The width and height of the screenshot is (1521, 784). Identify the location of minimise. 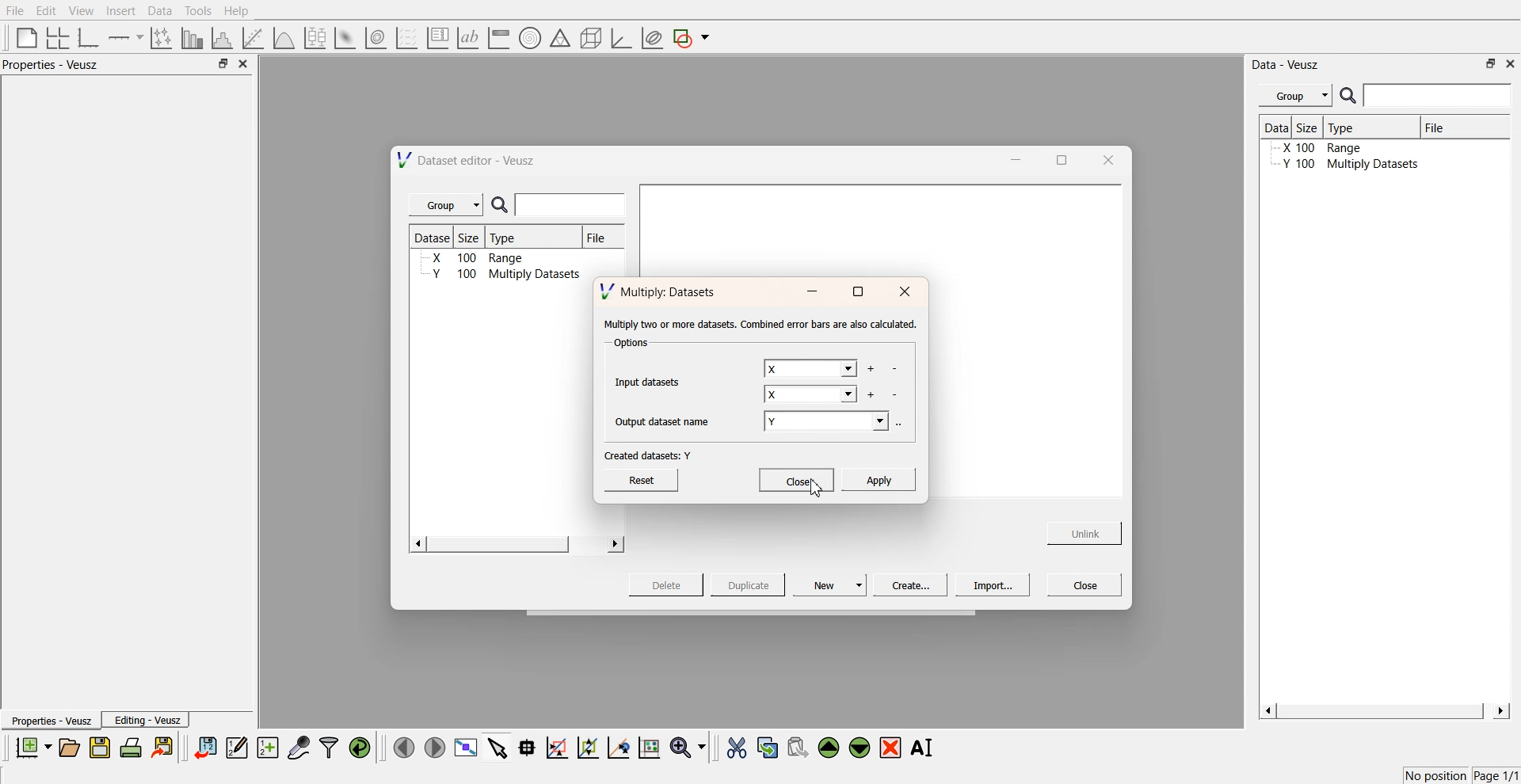
(1012, 158).